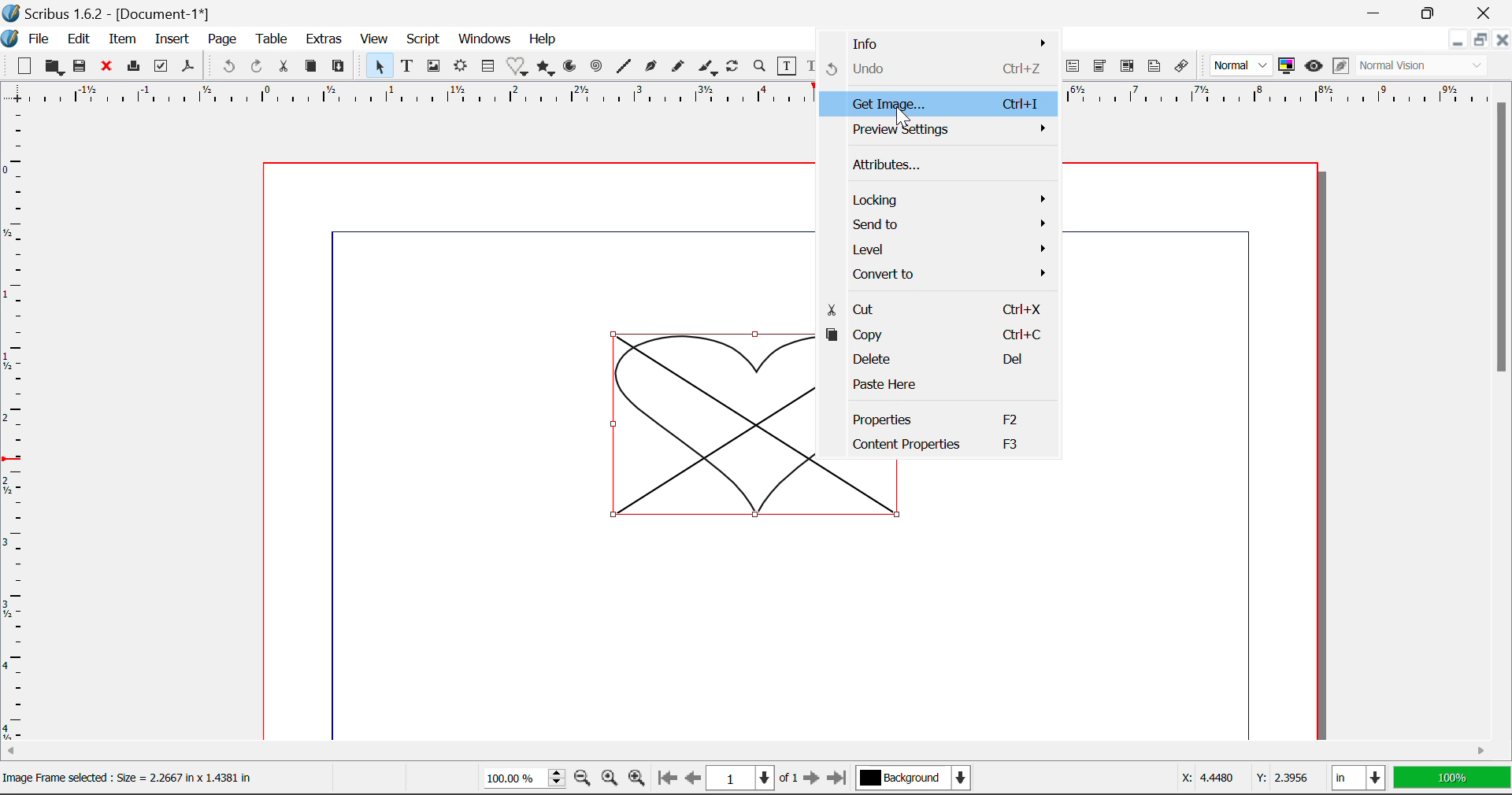 The height and width of the screenshot is (795, 1512). What do you see at coordinates (788, 66) in the screenshot?
I see `Edit Contents in Frame` at bounding box center [788, 66].